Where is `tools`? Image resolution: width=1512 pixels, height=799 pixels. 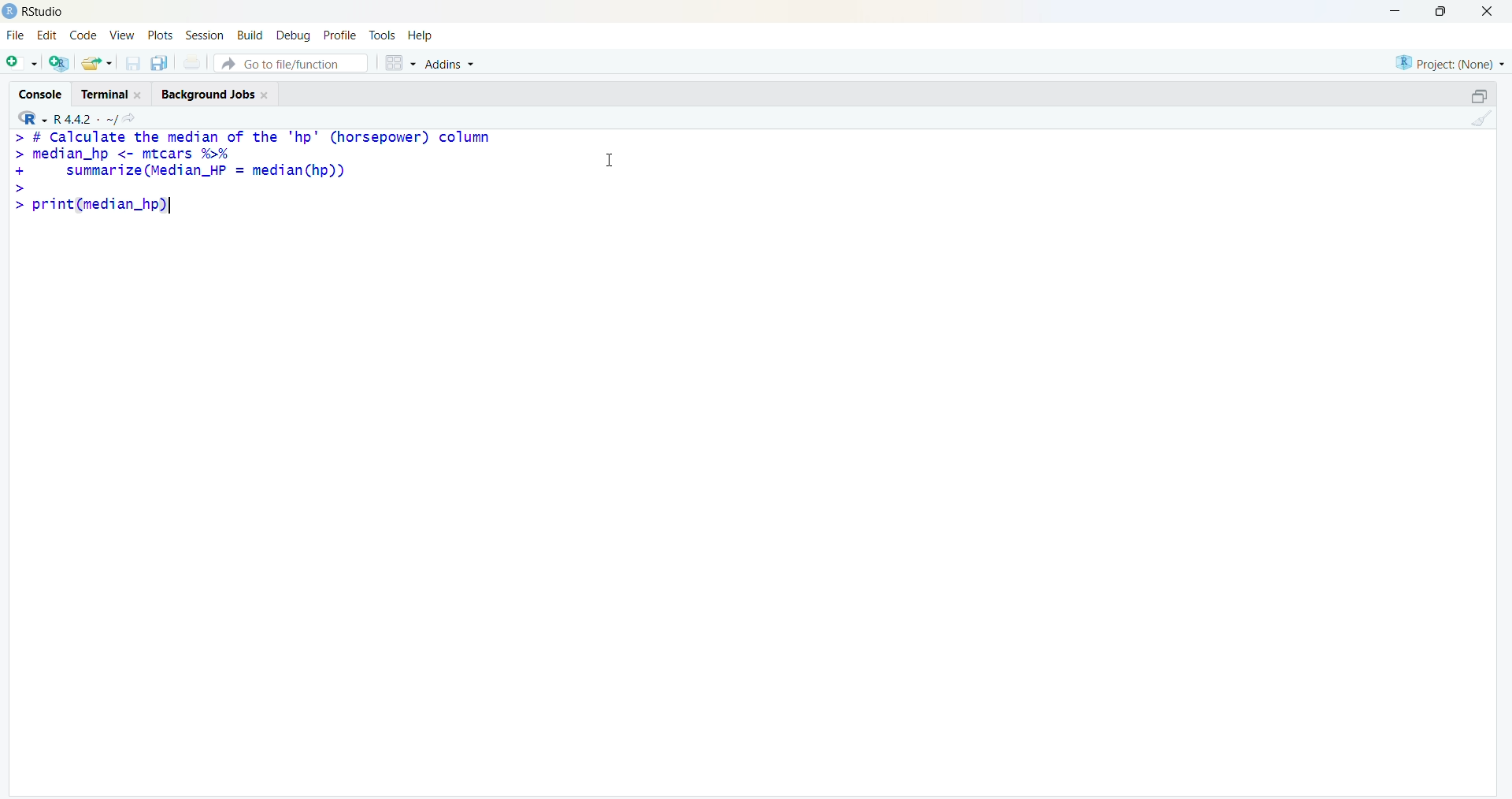
tools is located at coordinates (384, 36).